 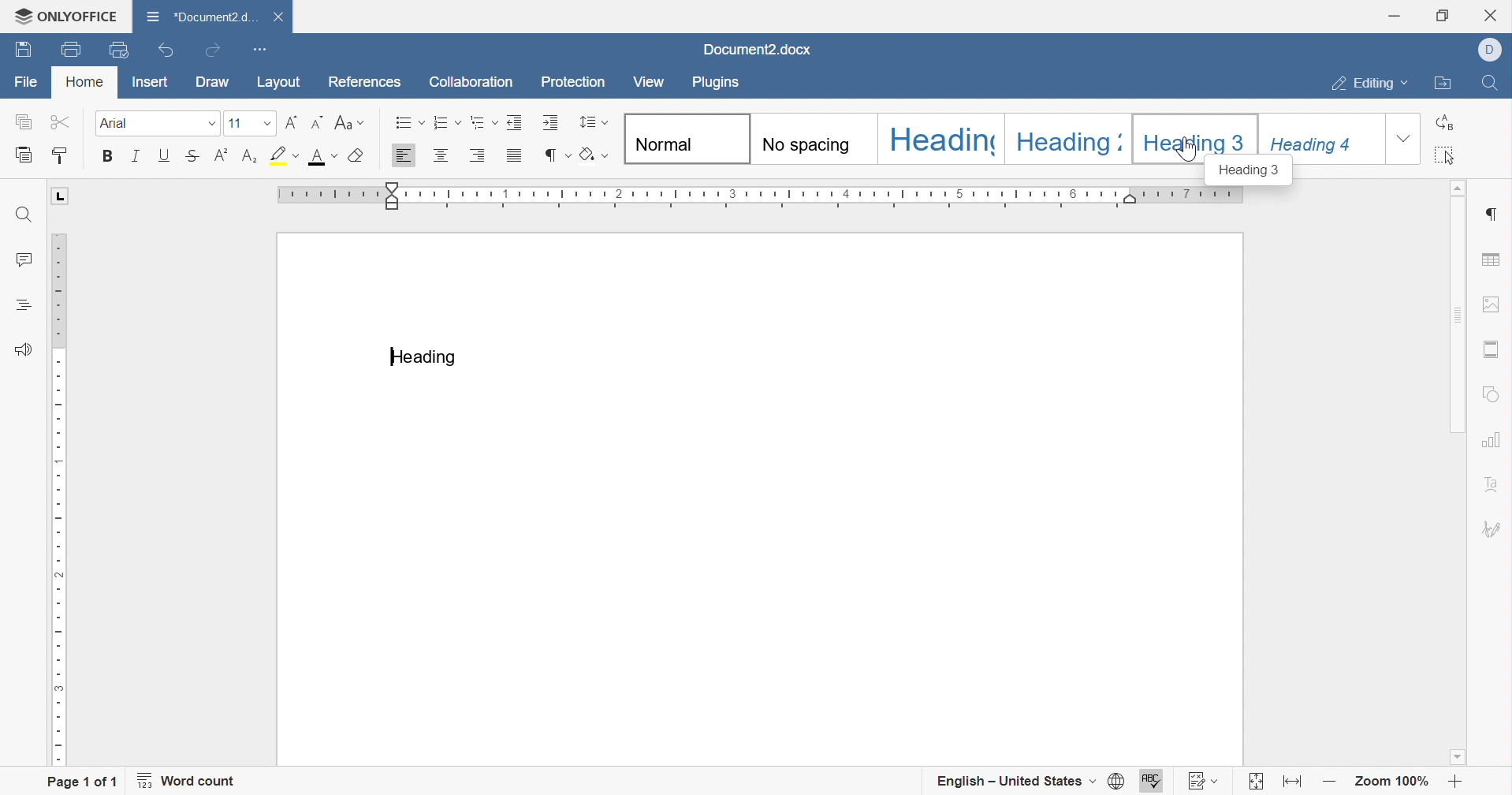 I want to click on Close, so click(x=1494, y=14).